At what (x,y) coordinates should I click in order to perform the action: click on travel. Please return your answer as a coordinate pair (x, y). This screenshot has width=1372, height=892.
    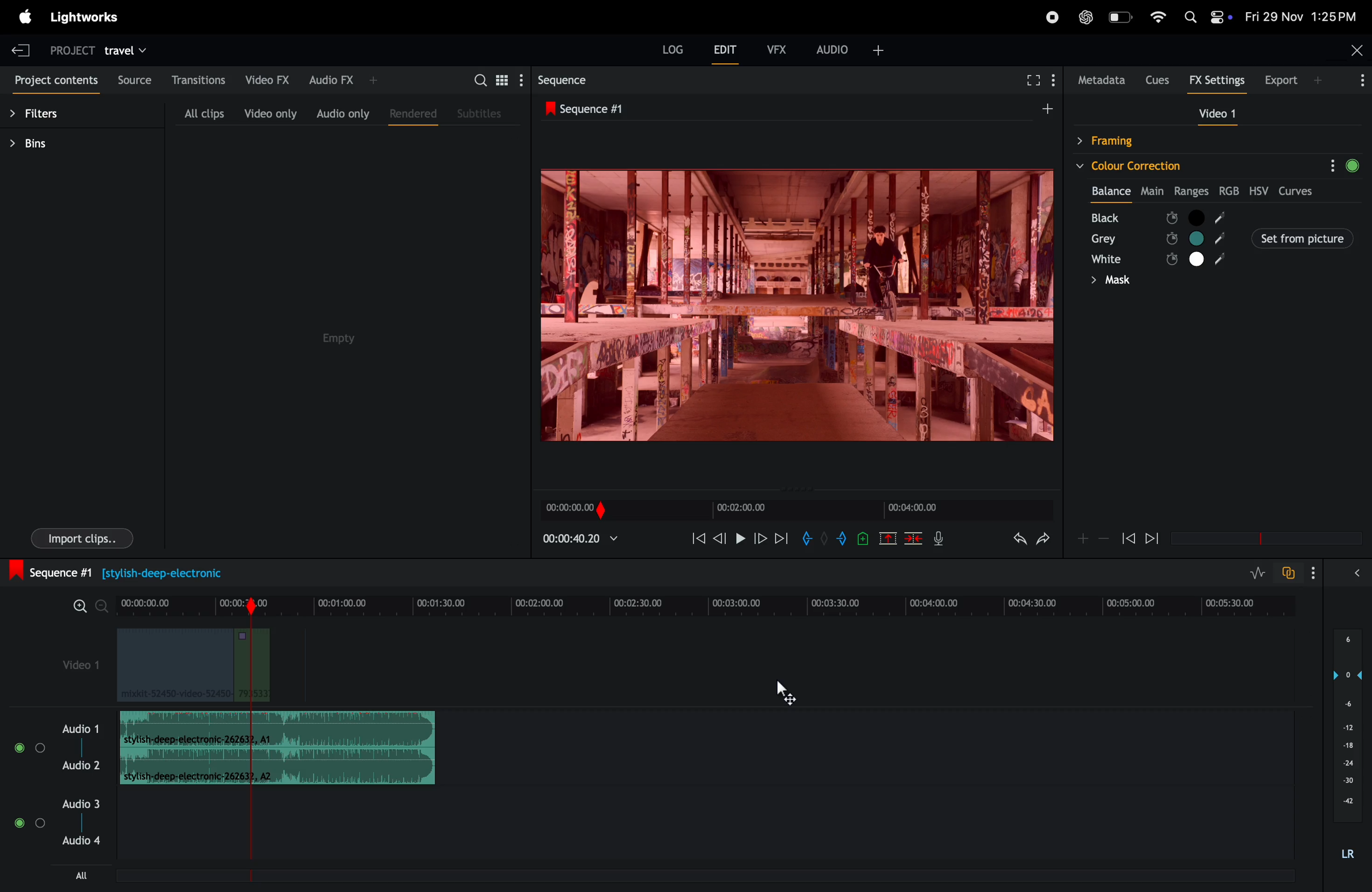
    Looking at the image, I should click on (128, 50).